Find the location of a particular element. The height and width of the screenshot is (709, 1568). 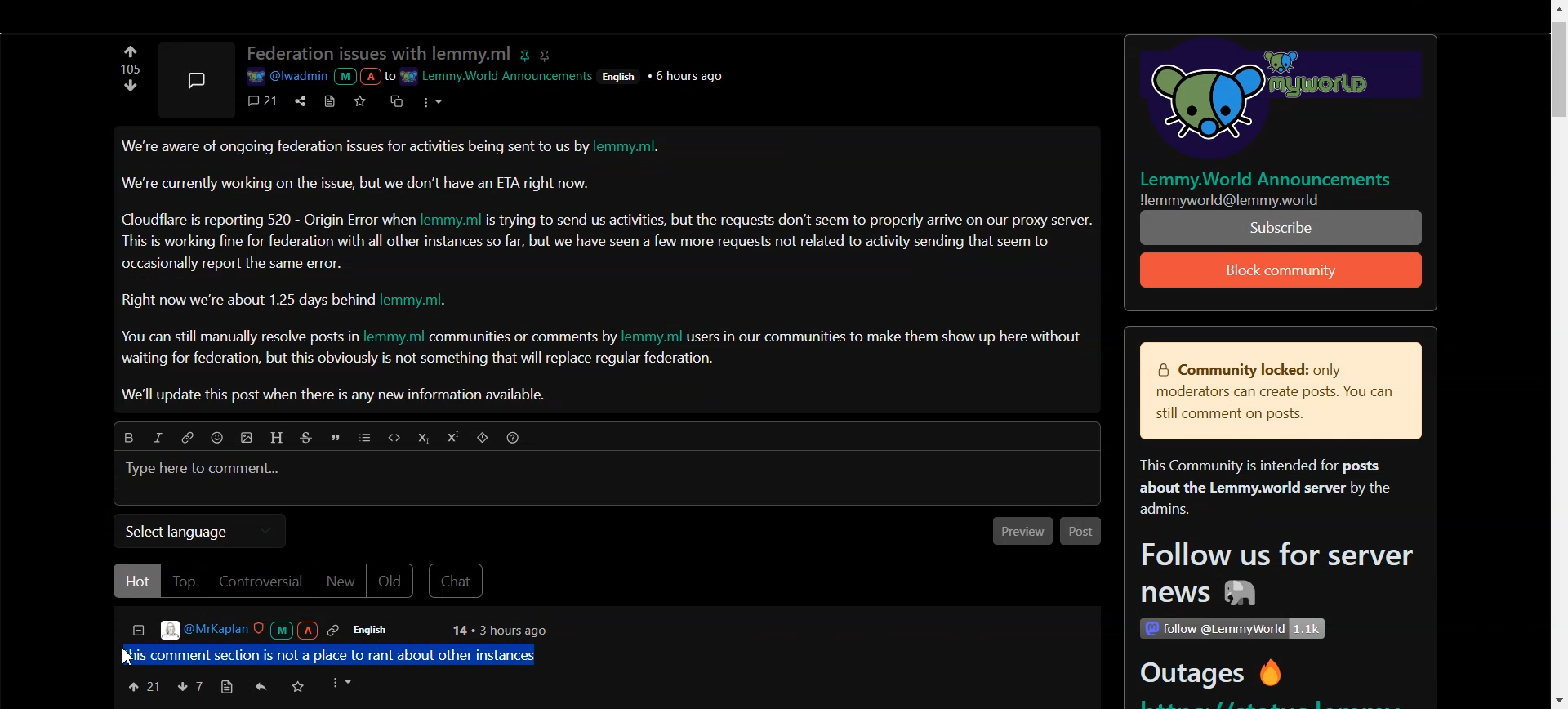

Strike through is located at coordinates (309, 438).